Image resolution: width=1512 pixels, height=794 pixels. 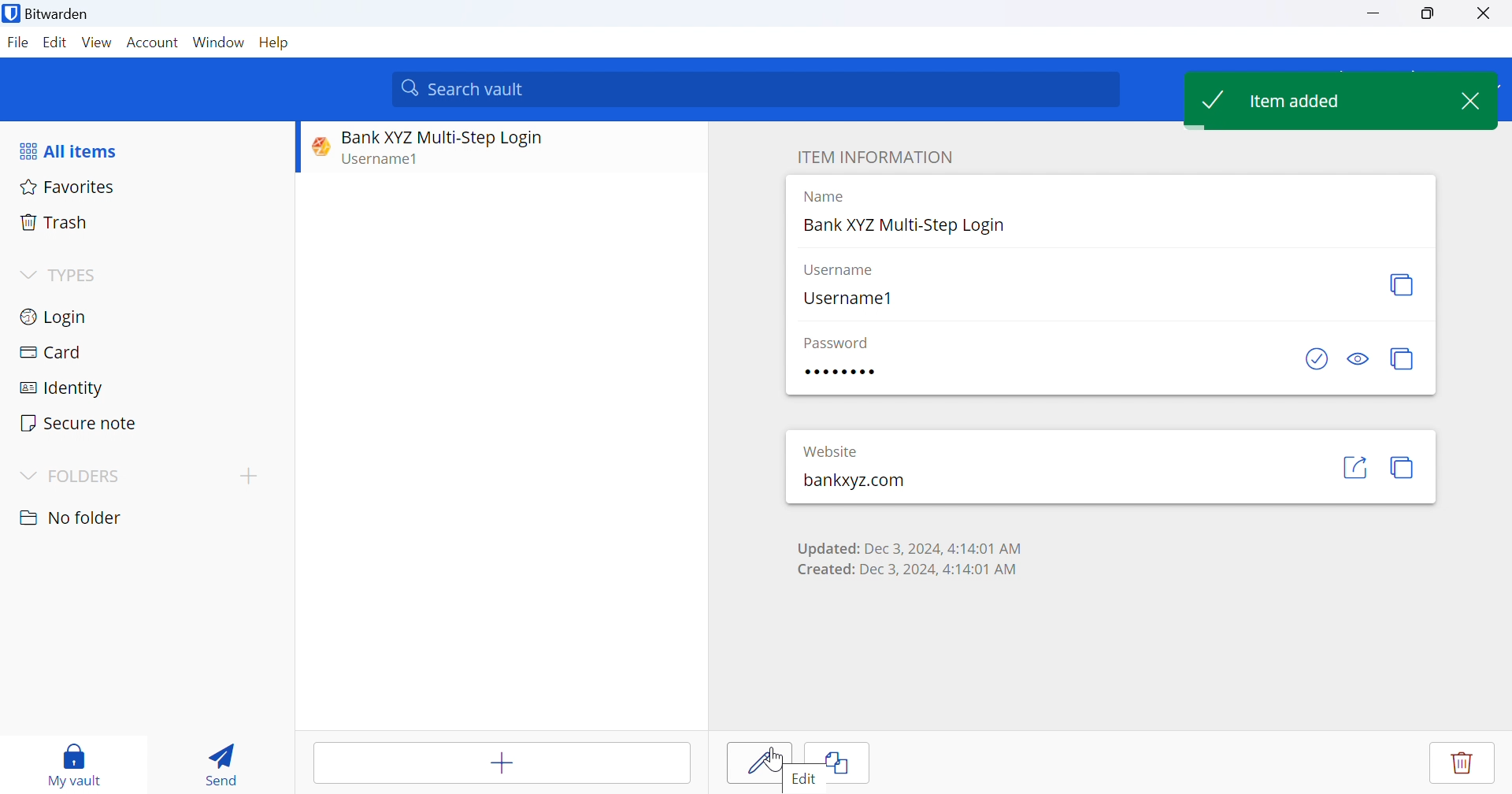 I want to click on Drop Down, so click(x=29, y=475).